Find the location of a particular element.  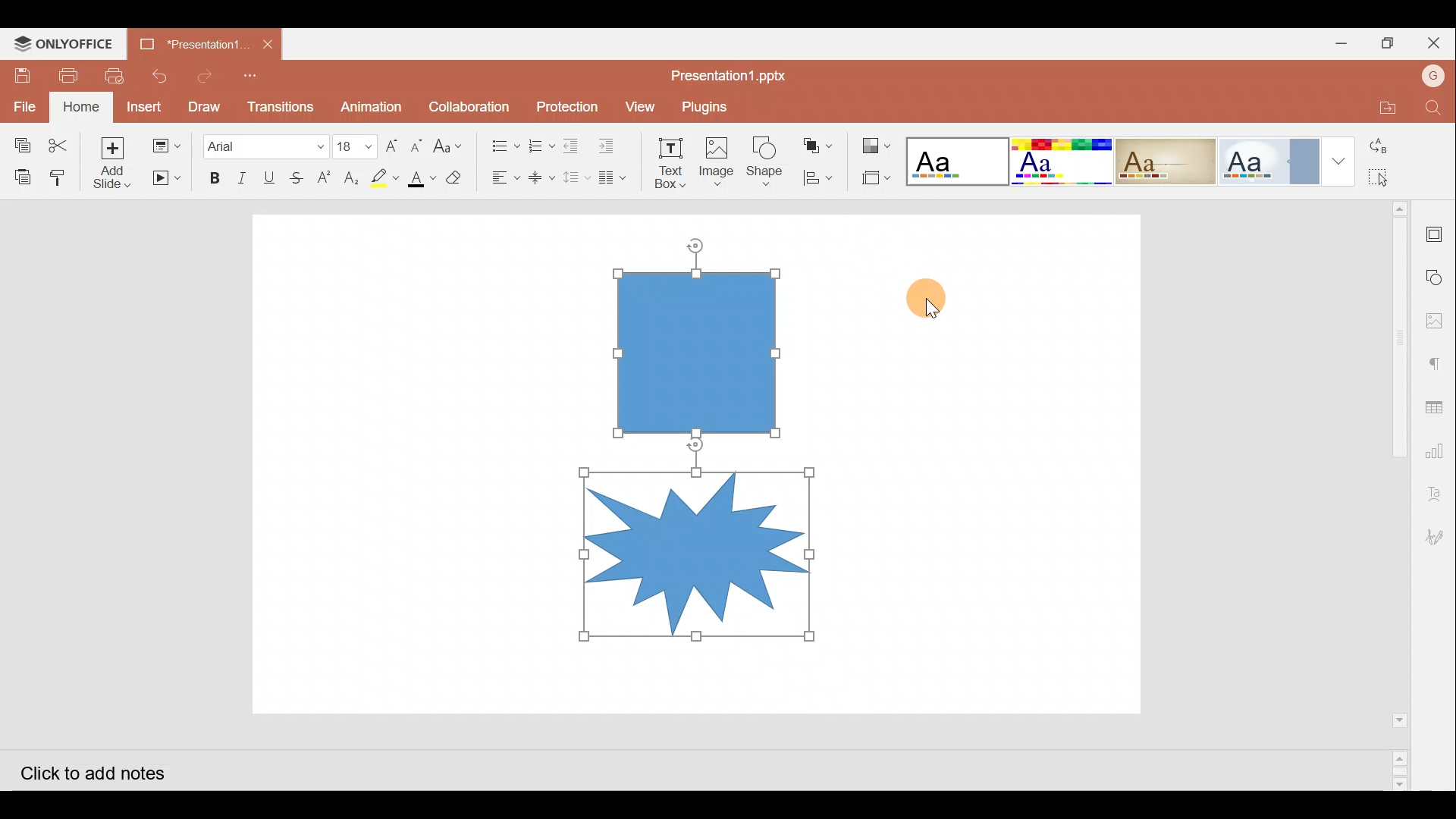

Presentation1. is located at coordinates (192, 42).